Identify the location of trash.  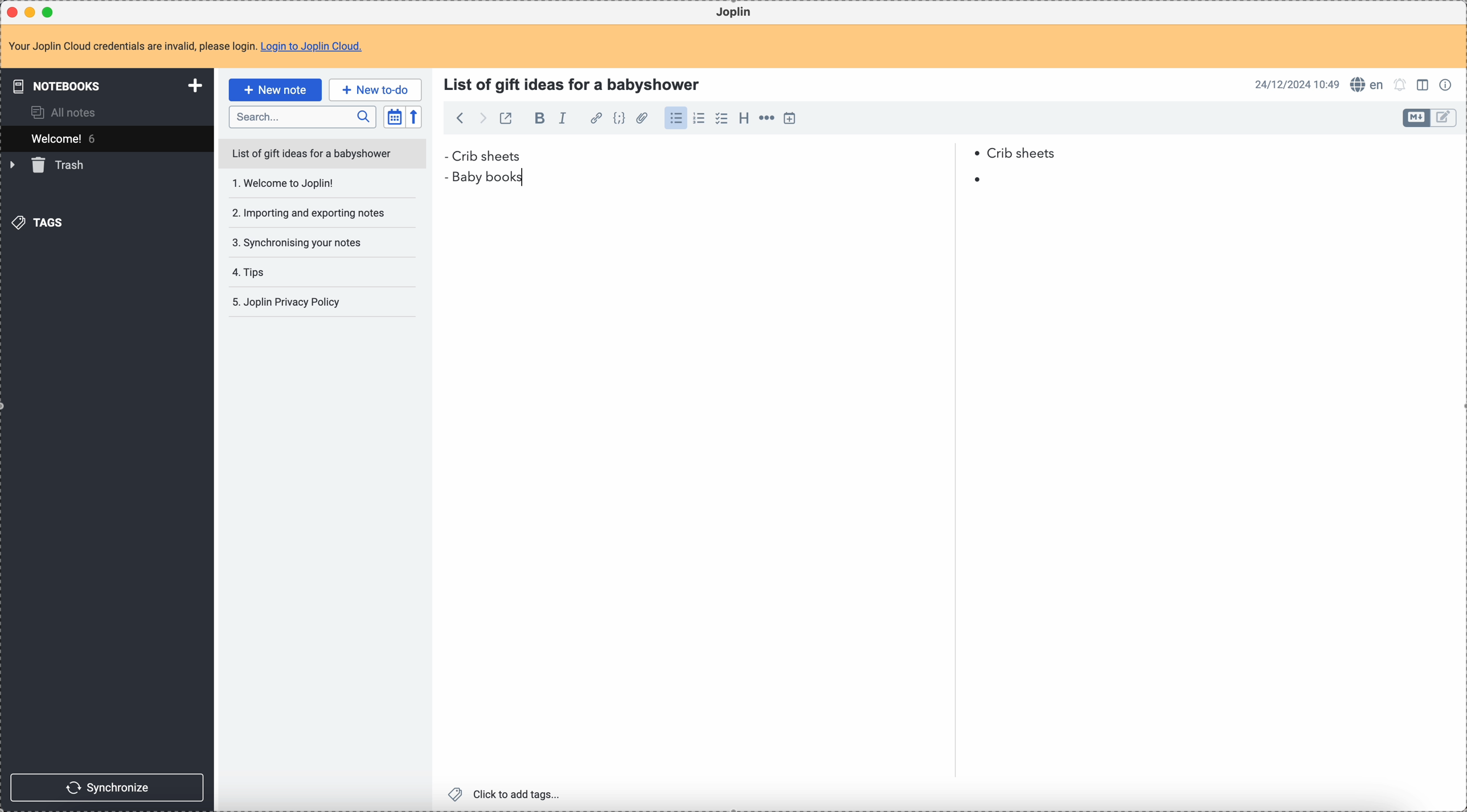
(50, 166).